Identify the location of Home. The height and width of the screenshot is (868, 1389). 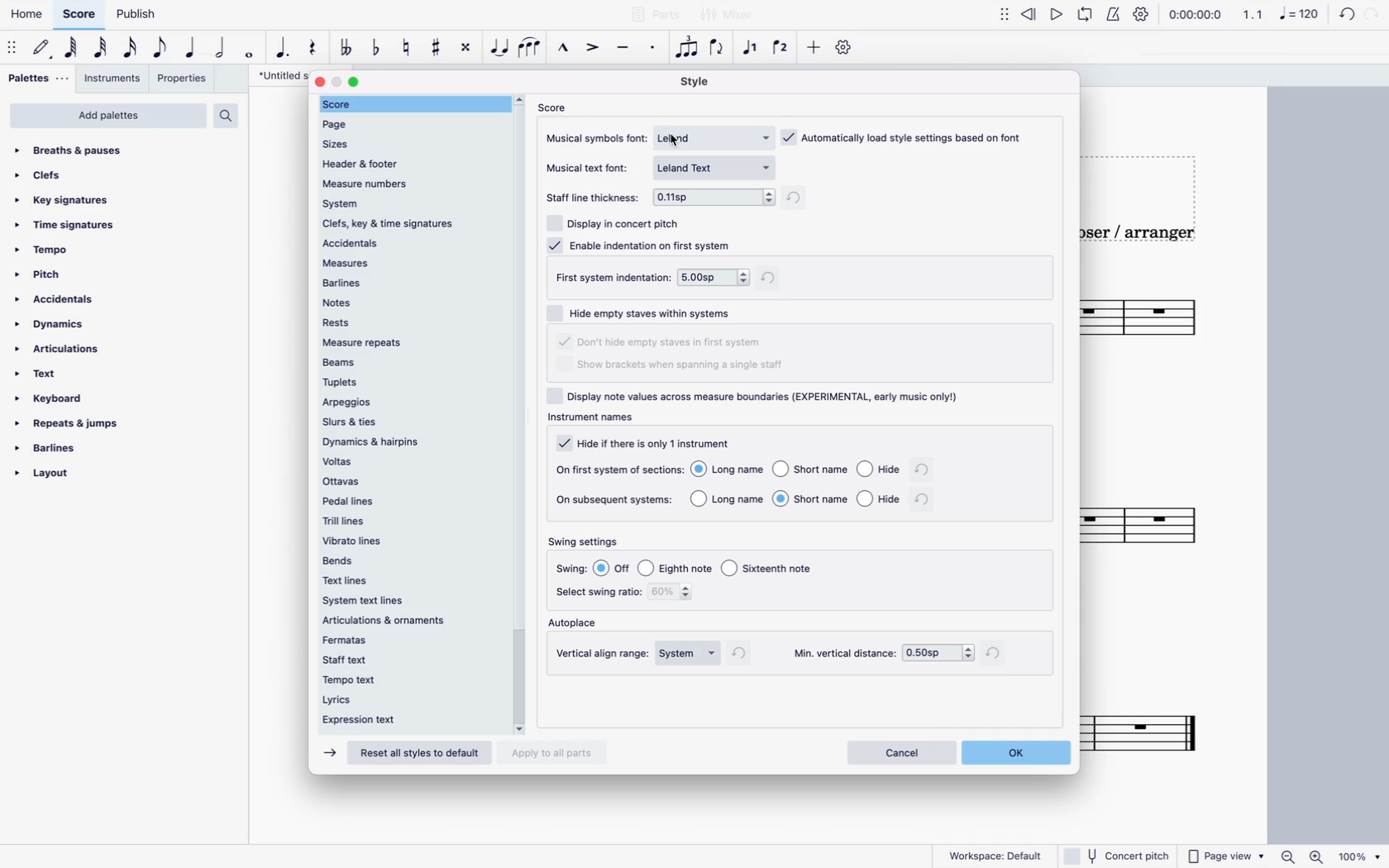
(29, 10).